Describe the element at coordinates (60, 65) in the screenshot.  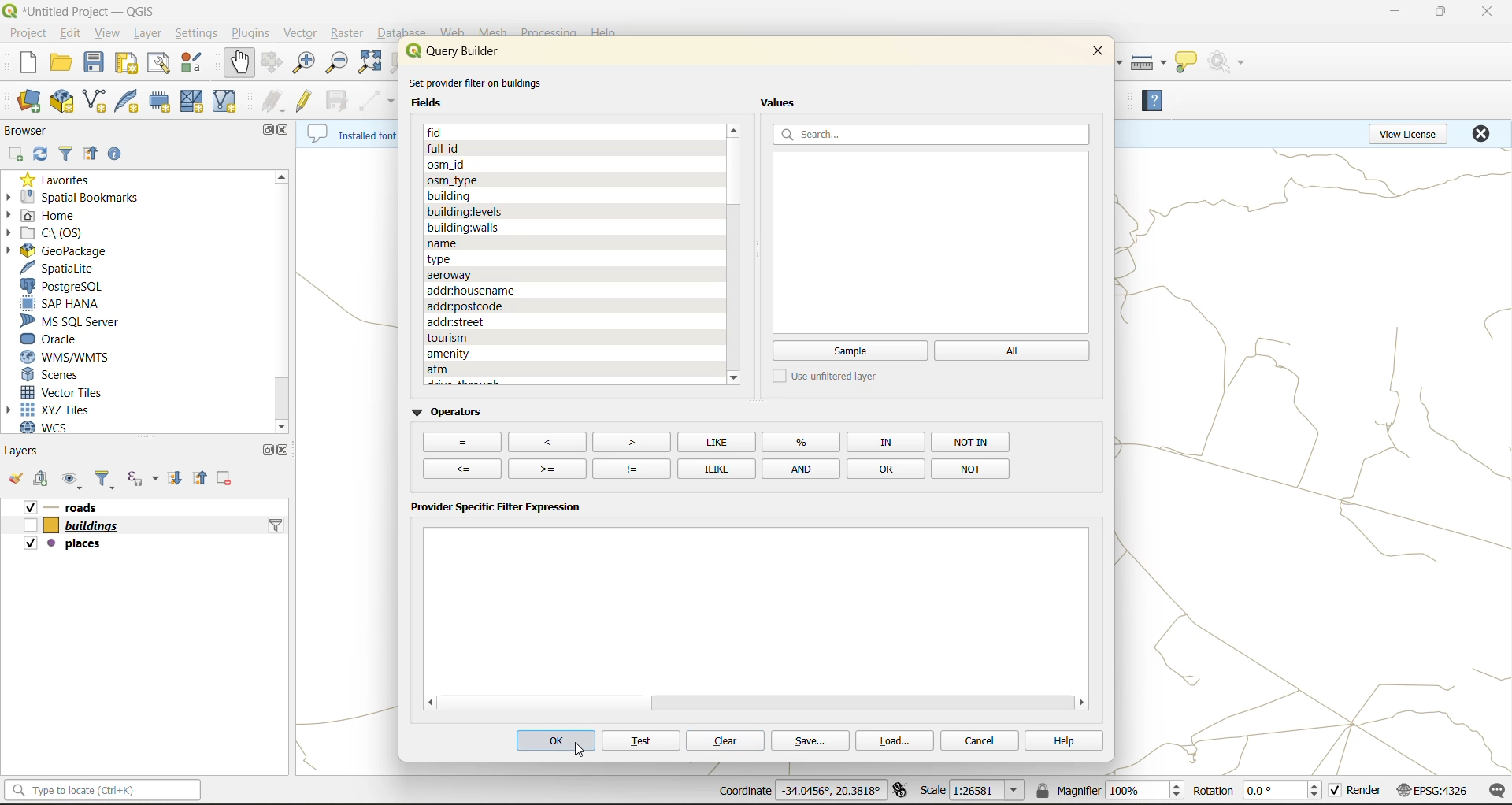
I see `open` at that location.